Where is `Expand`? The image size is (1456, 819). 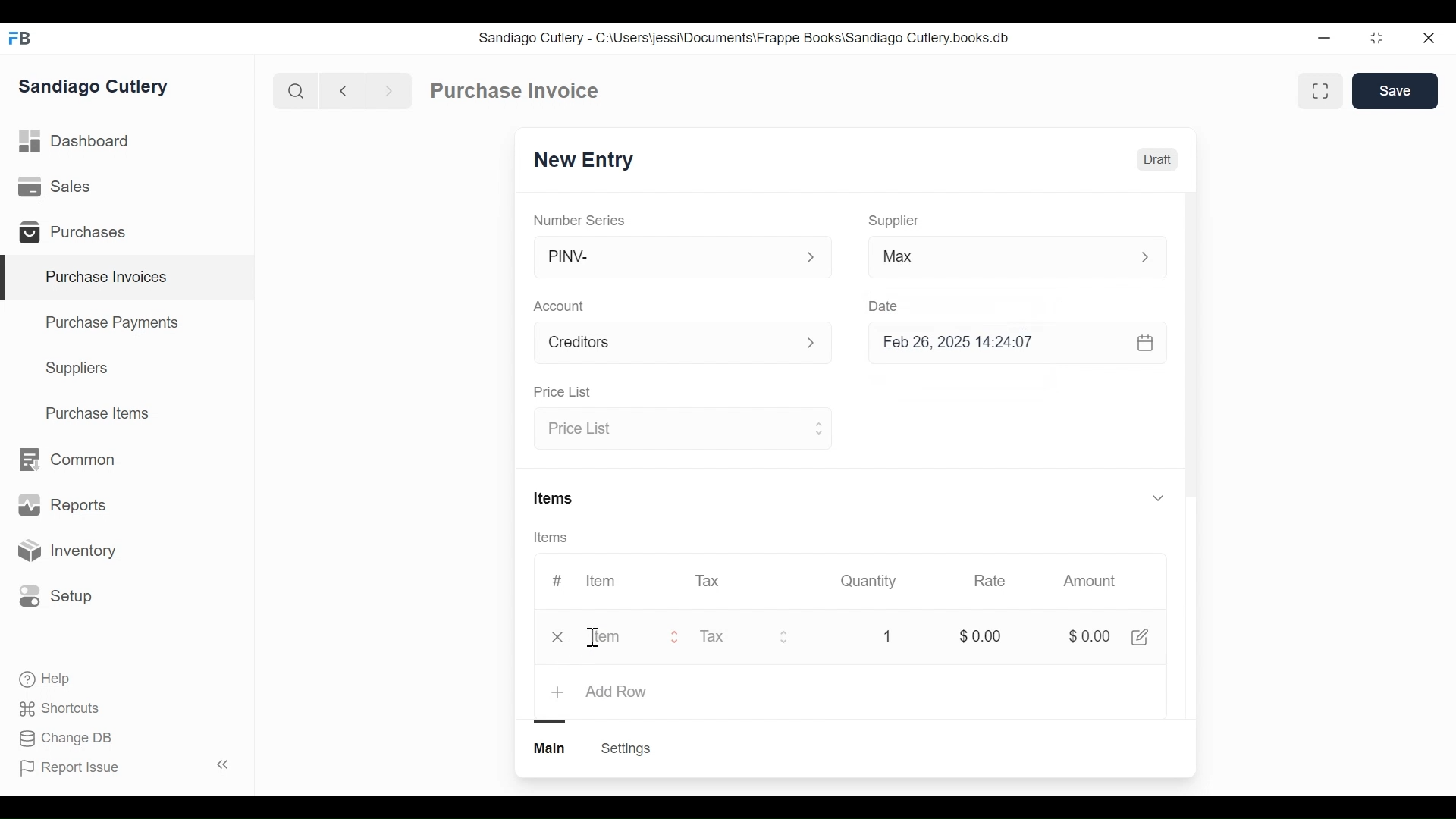
Expand is located at coordinates (785, 636).